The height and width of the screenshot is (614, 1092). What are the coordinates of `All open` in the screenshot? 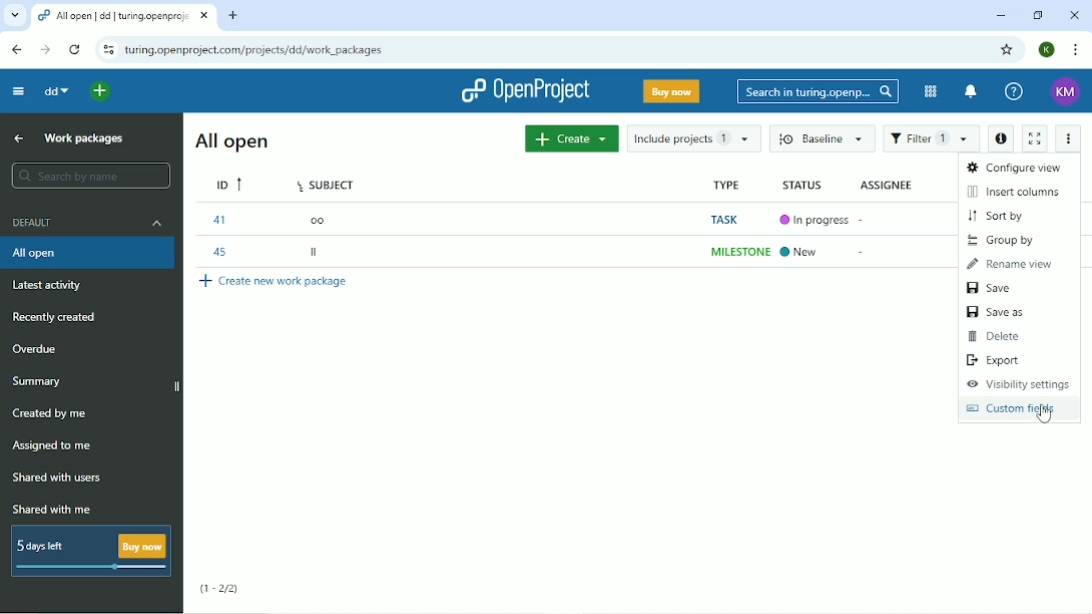 It's located at (89, 253).